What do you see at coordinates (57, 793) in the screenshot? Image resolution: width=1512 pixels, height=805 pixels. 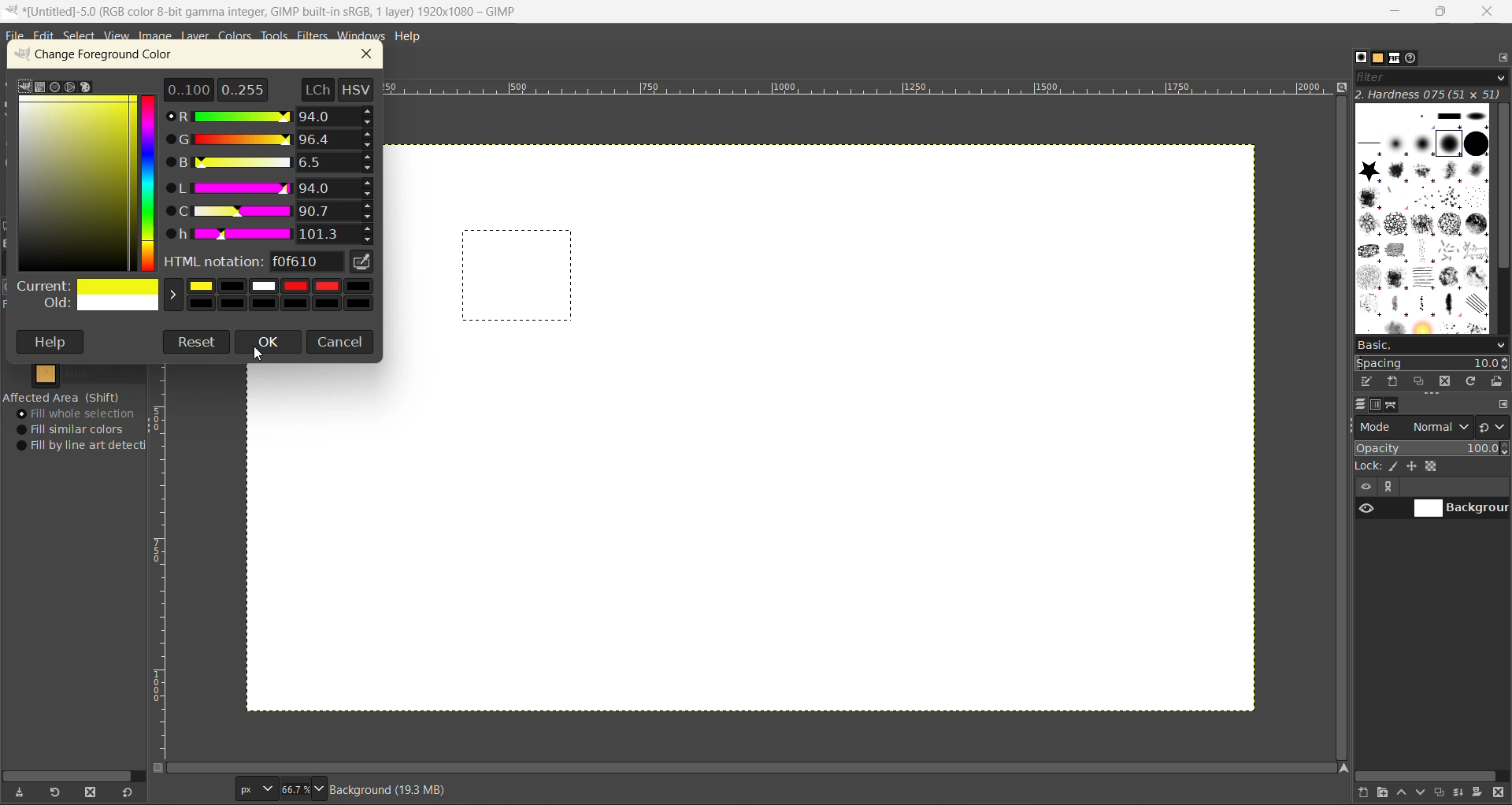 I see `restore tool preset` at bounding box center [57, 793].